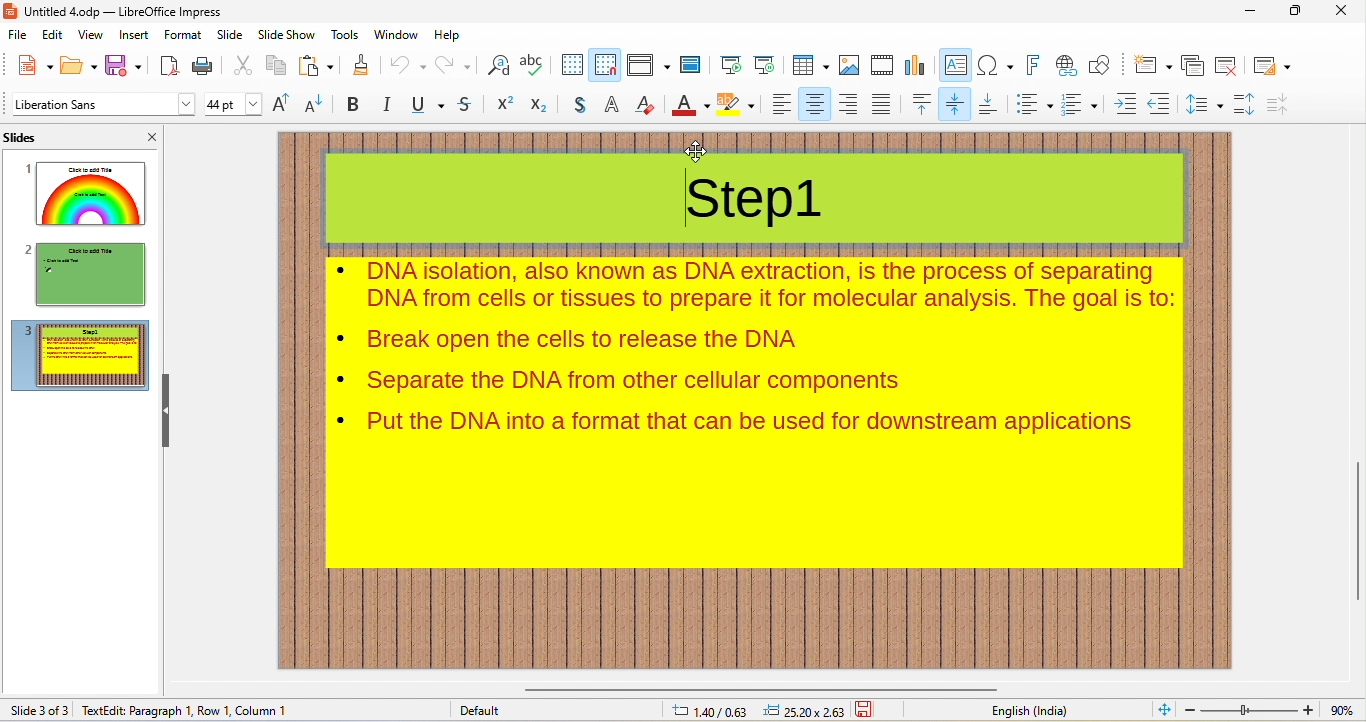  I want to click on slide 3 of 3, so click(38, 708).